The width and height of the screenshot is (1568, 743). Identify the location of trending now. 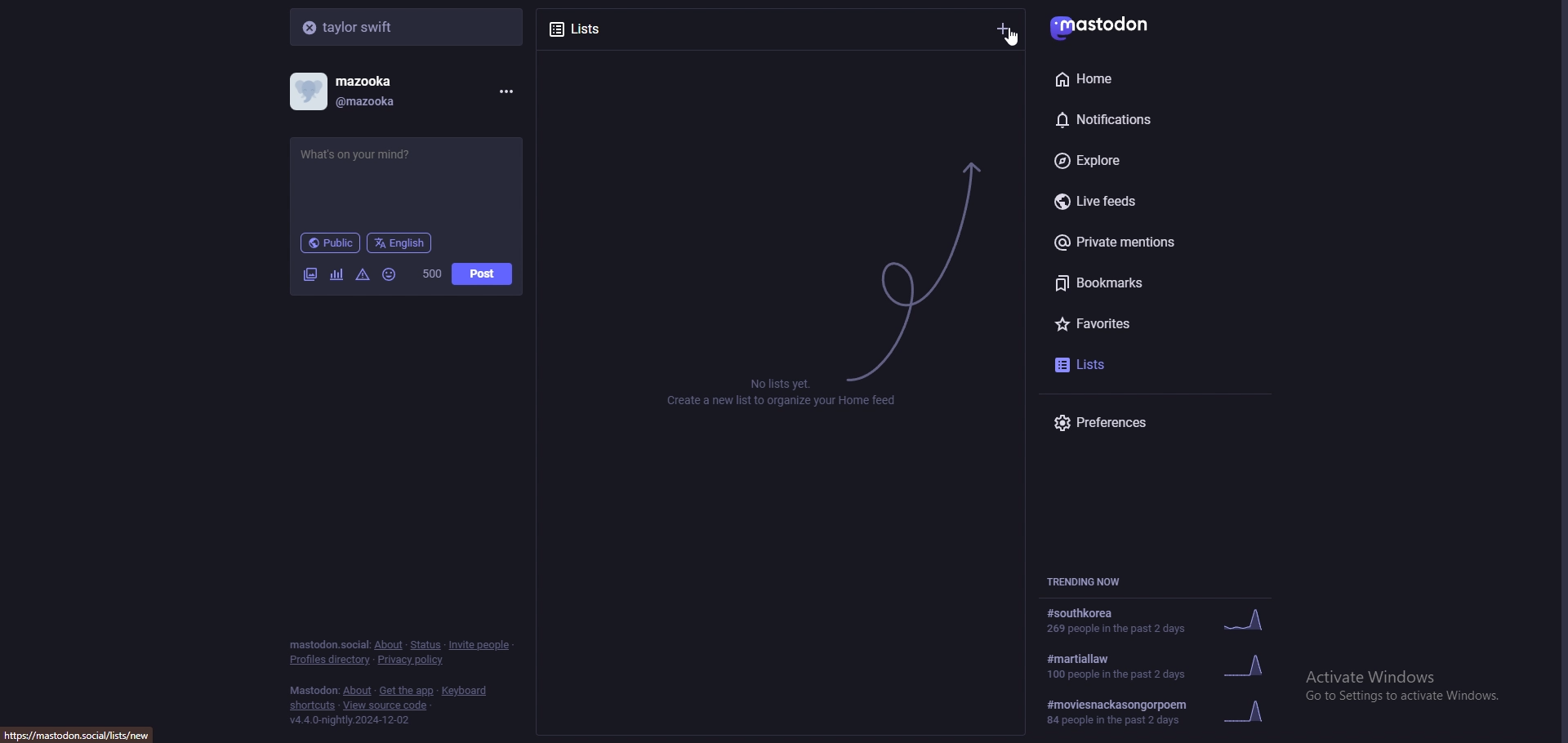
(1093, 581).